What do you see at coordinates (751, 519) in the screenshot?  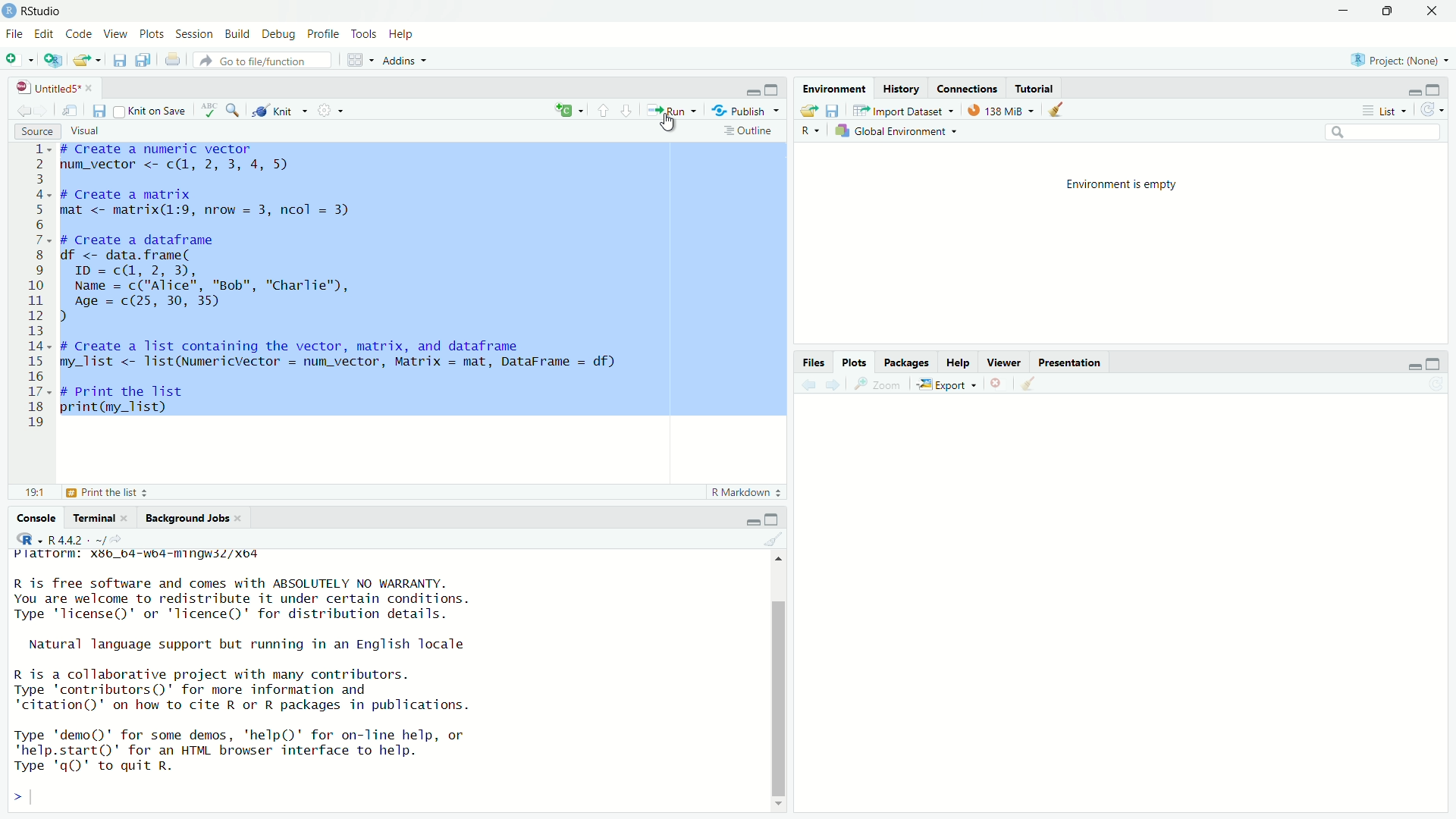 I see `minimise` at bounding box center [751, 519].